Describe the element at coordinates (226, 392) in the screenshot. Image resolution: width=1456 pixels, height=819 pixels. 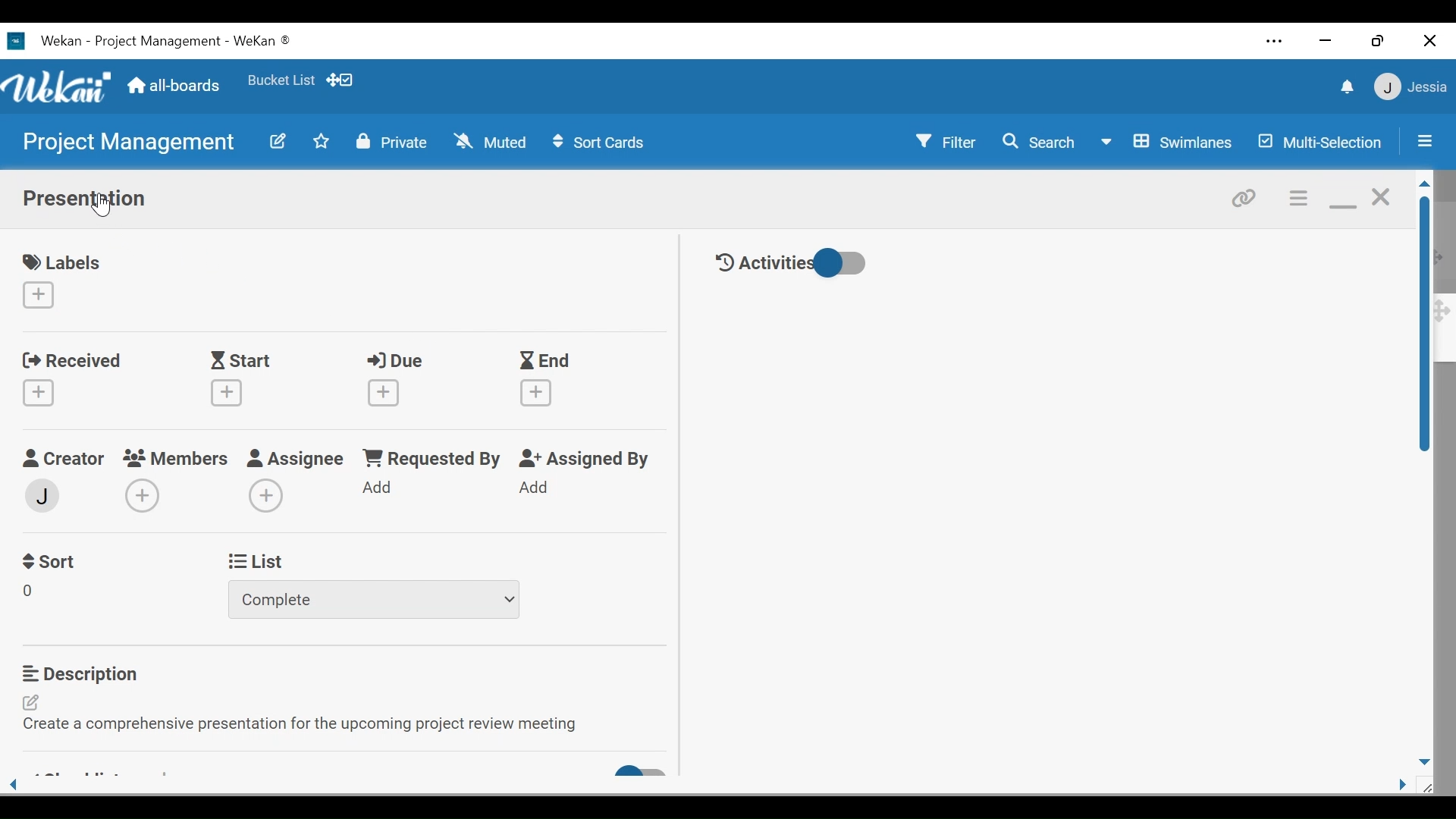
I see `Create Start Date` at that location.